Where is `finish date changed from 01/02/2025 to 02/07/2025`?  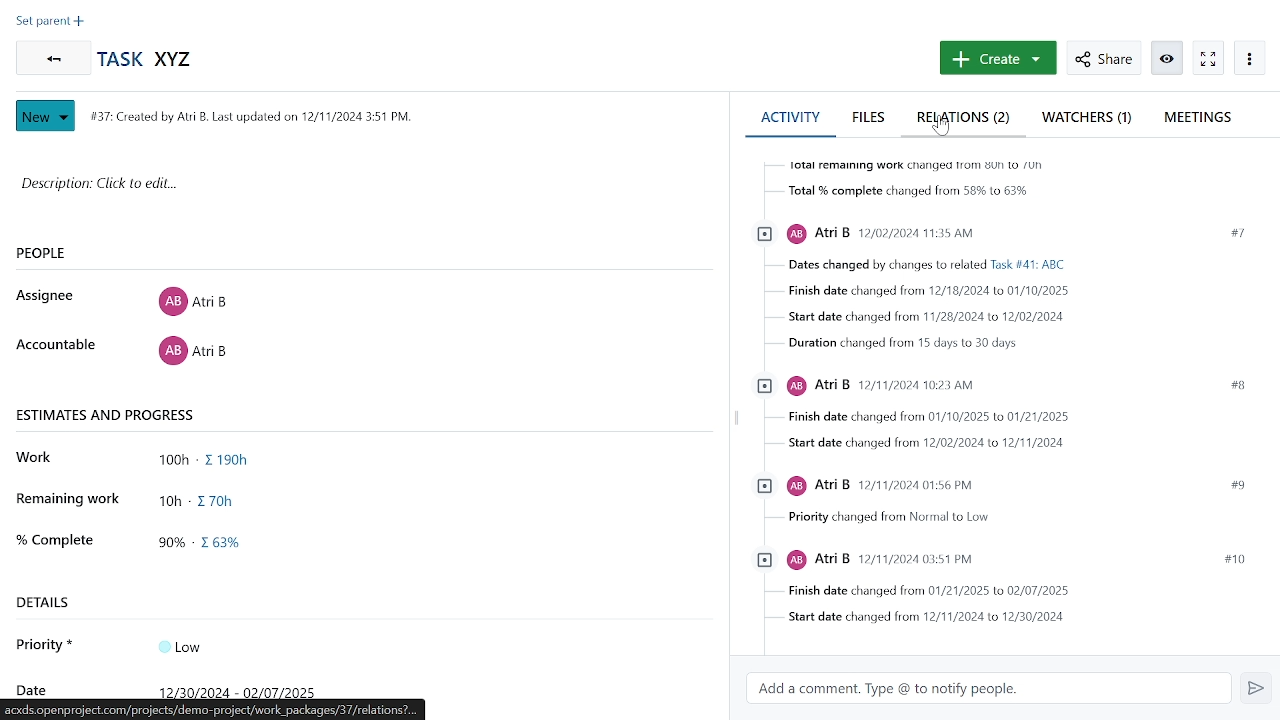 finish date changed from 01/02/2025 to 02/07/2025 is located at coordinates (914, 593).